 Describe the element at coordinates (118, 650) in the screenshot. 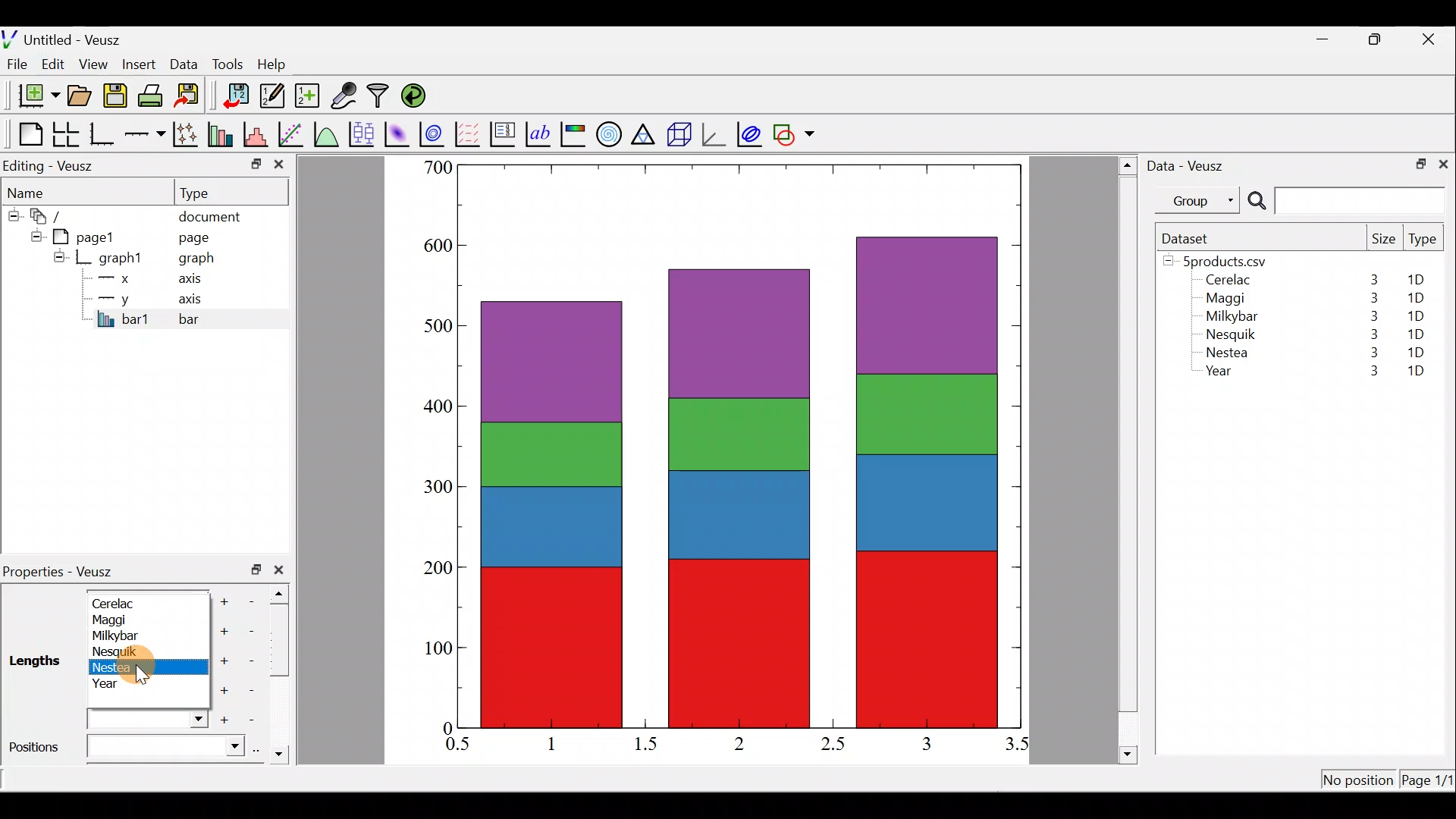

I see `Nesquik` at that location.